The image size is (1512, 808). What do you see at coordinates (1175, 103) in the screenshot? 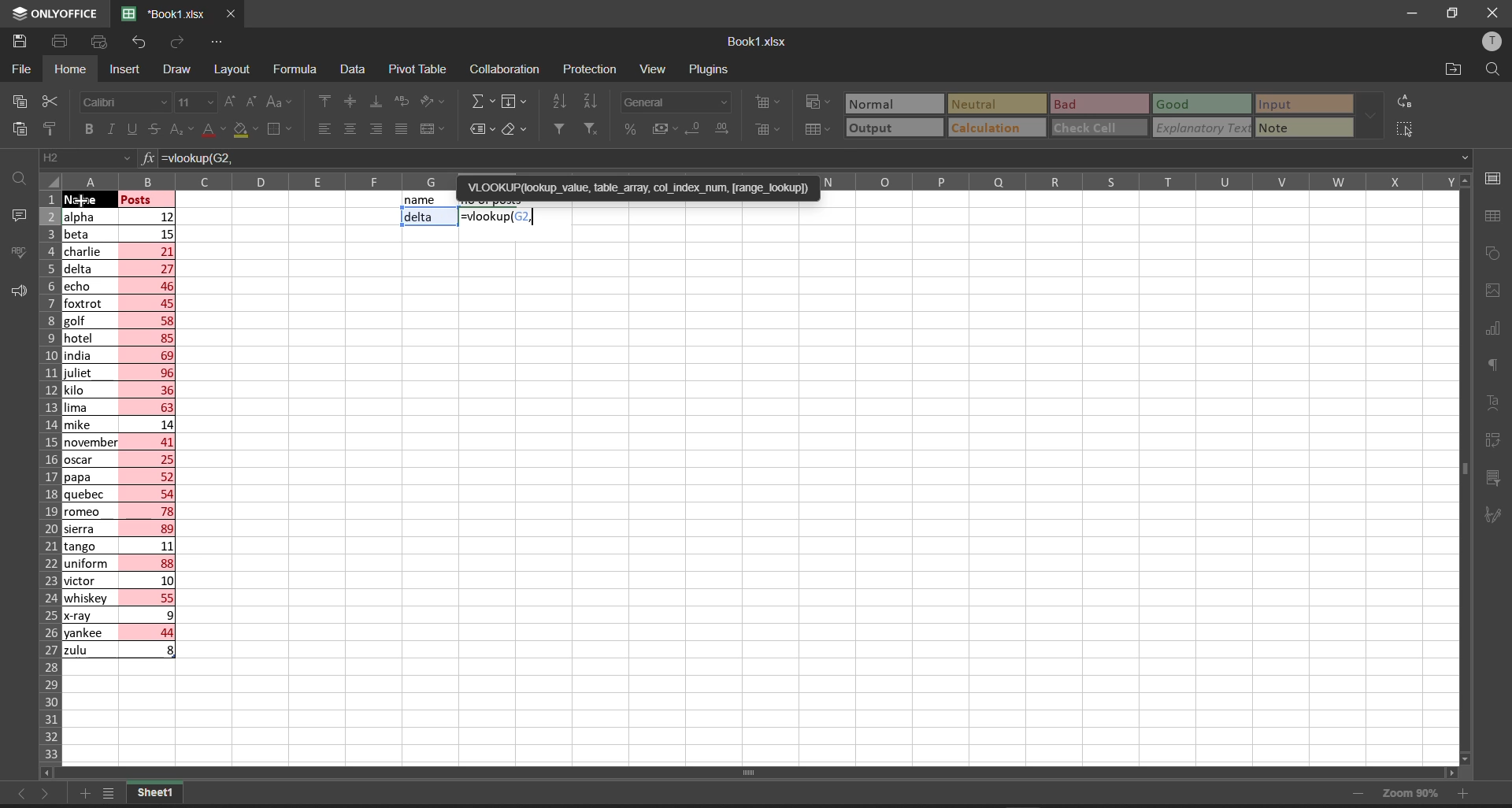
I see `Good` at bounding box center [1175, 103].